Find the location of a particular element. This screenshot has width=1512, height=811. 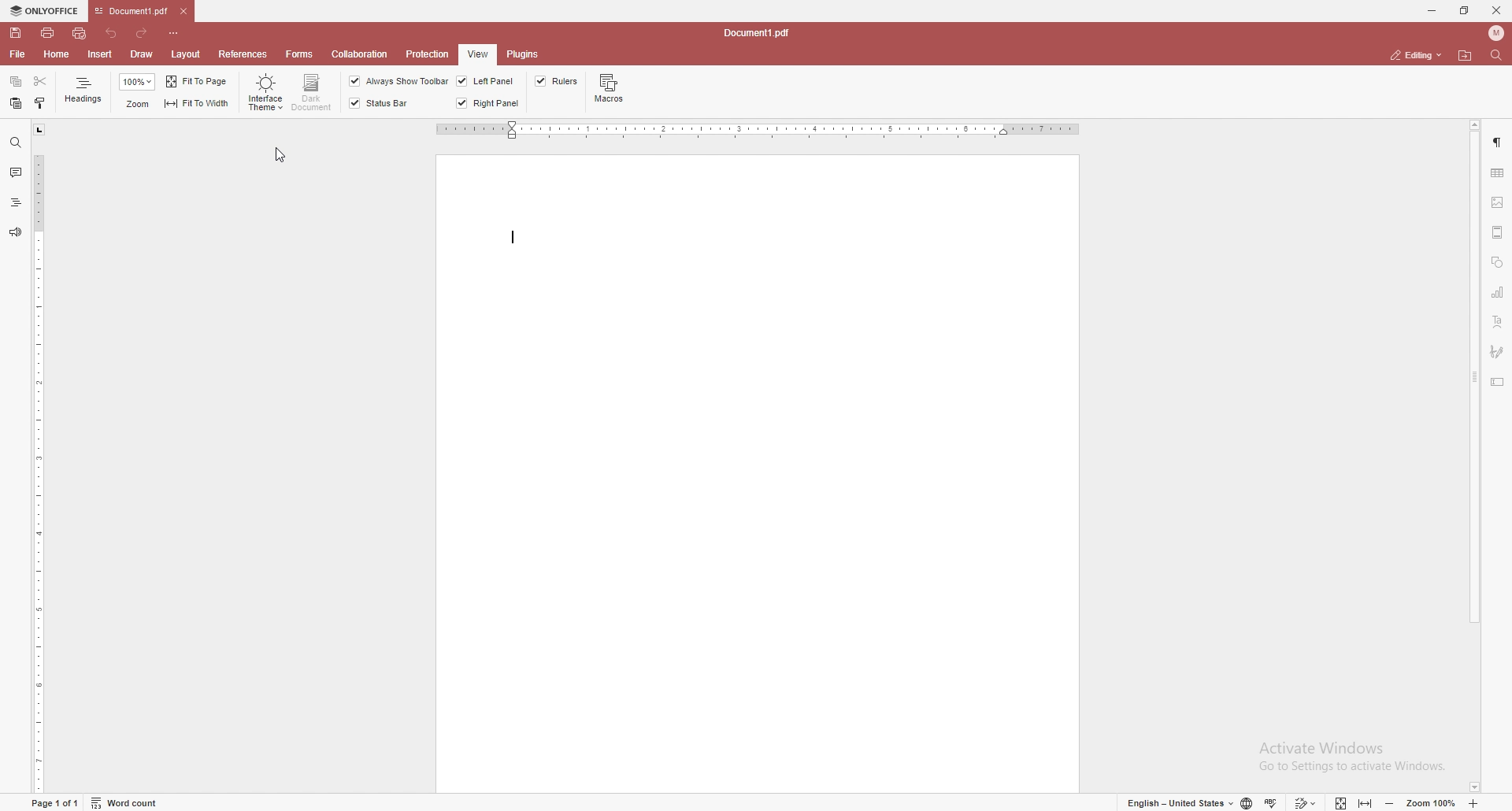

file is located at coordinates (18, 54).